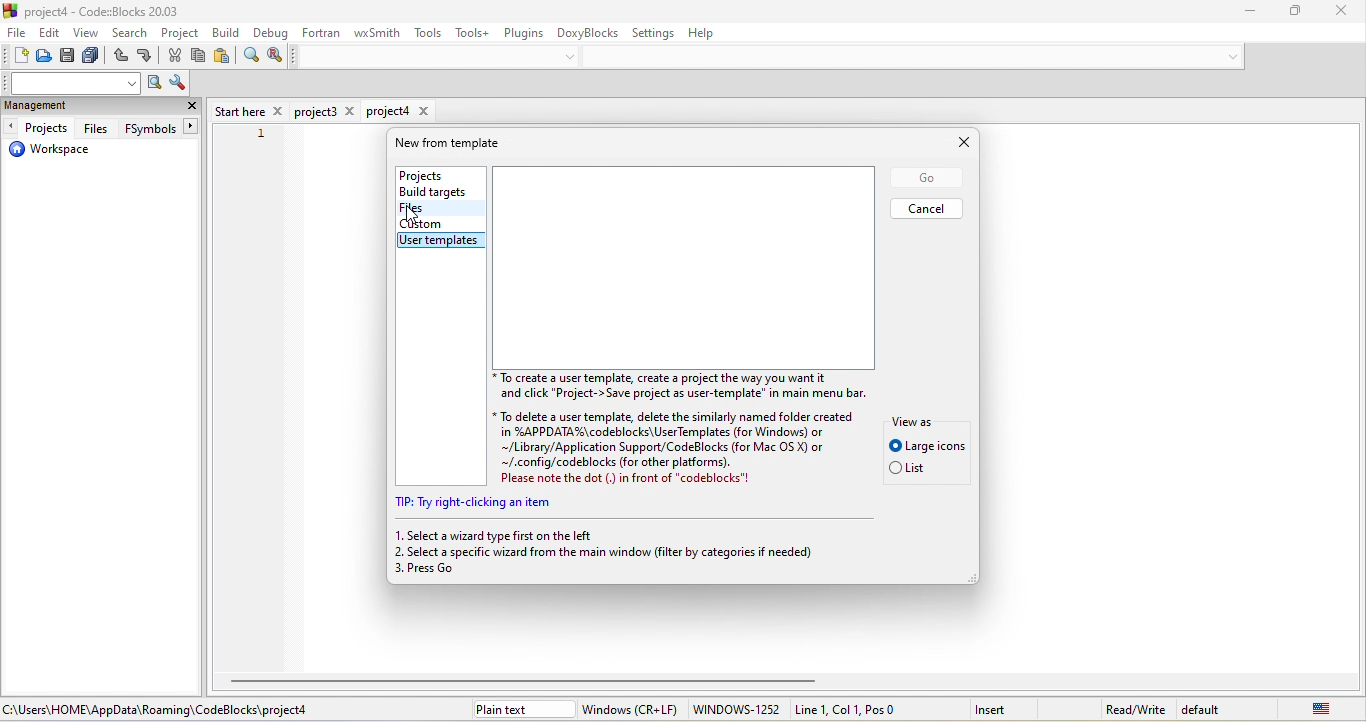  Describe the element at coordinates (434, 173) in the screenshot. I see `projects` at that location.